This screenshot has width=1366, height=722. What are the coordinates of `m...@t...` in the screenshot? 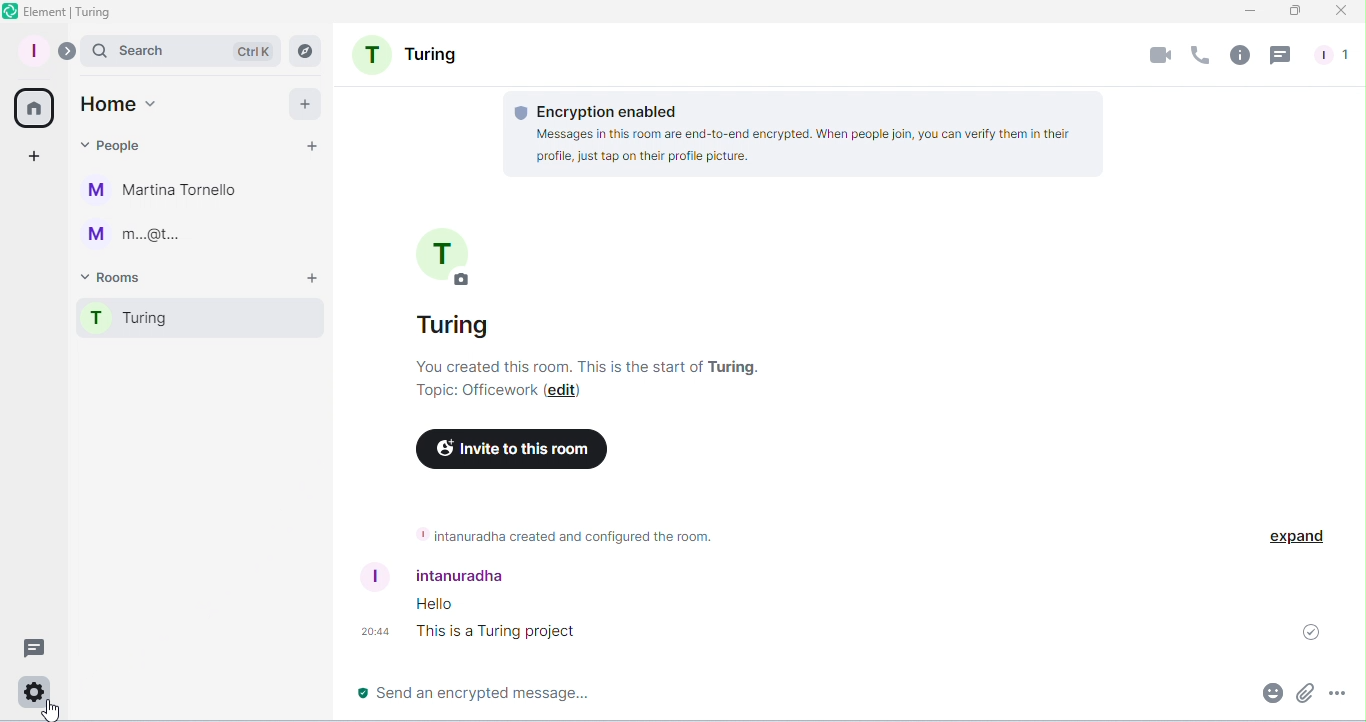 It's located at (140, 235).